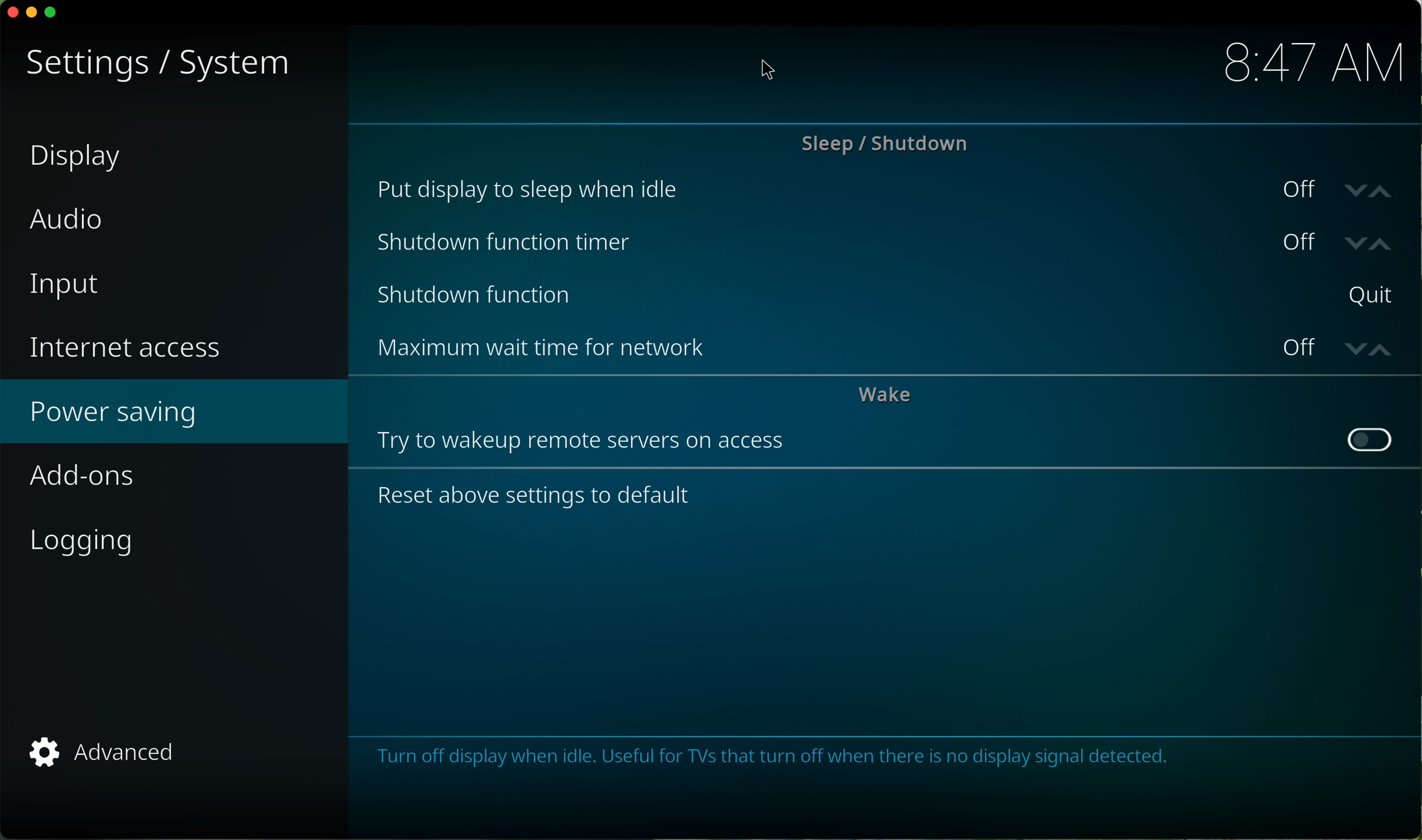  Describe the element at coordinates (1304, 242) in the screenshot. I see `off` at that location.